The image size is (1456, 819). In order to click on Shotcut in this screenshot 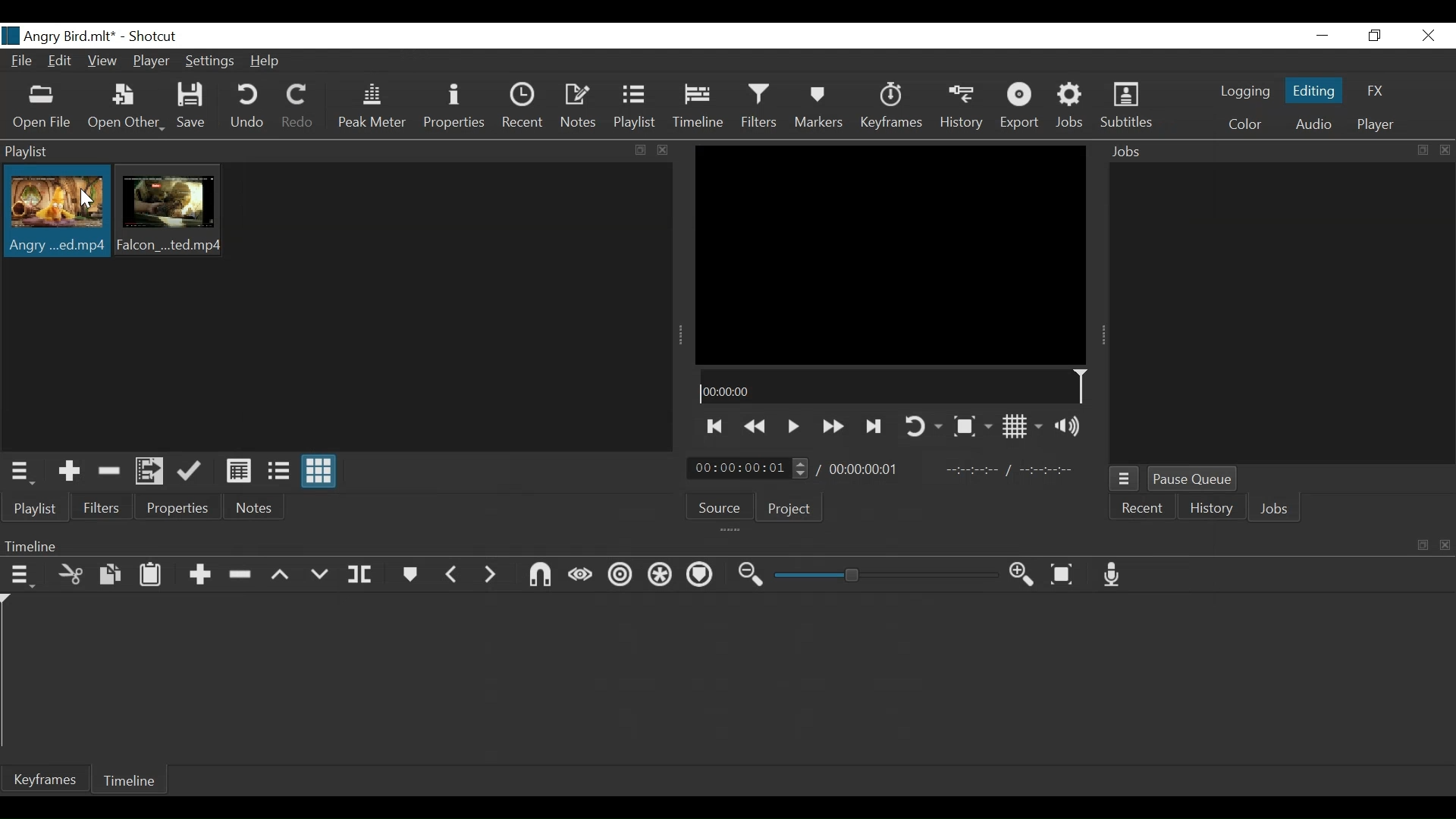, I will do `click(157, 36)`.